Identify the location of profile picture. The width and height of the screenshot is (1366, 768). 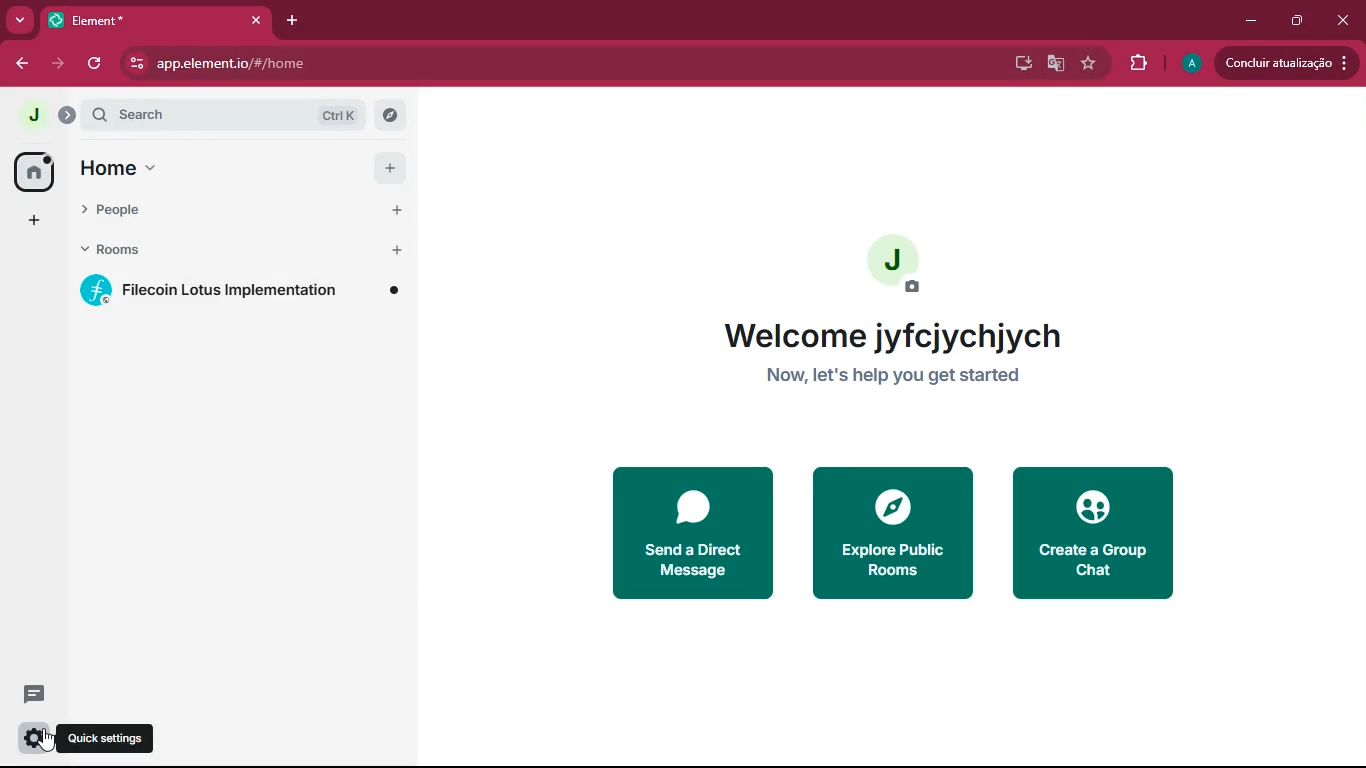
(28, 115).